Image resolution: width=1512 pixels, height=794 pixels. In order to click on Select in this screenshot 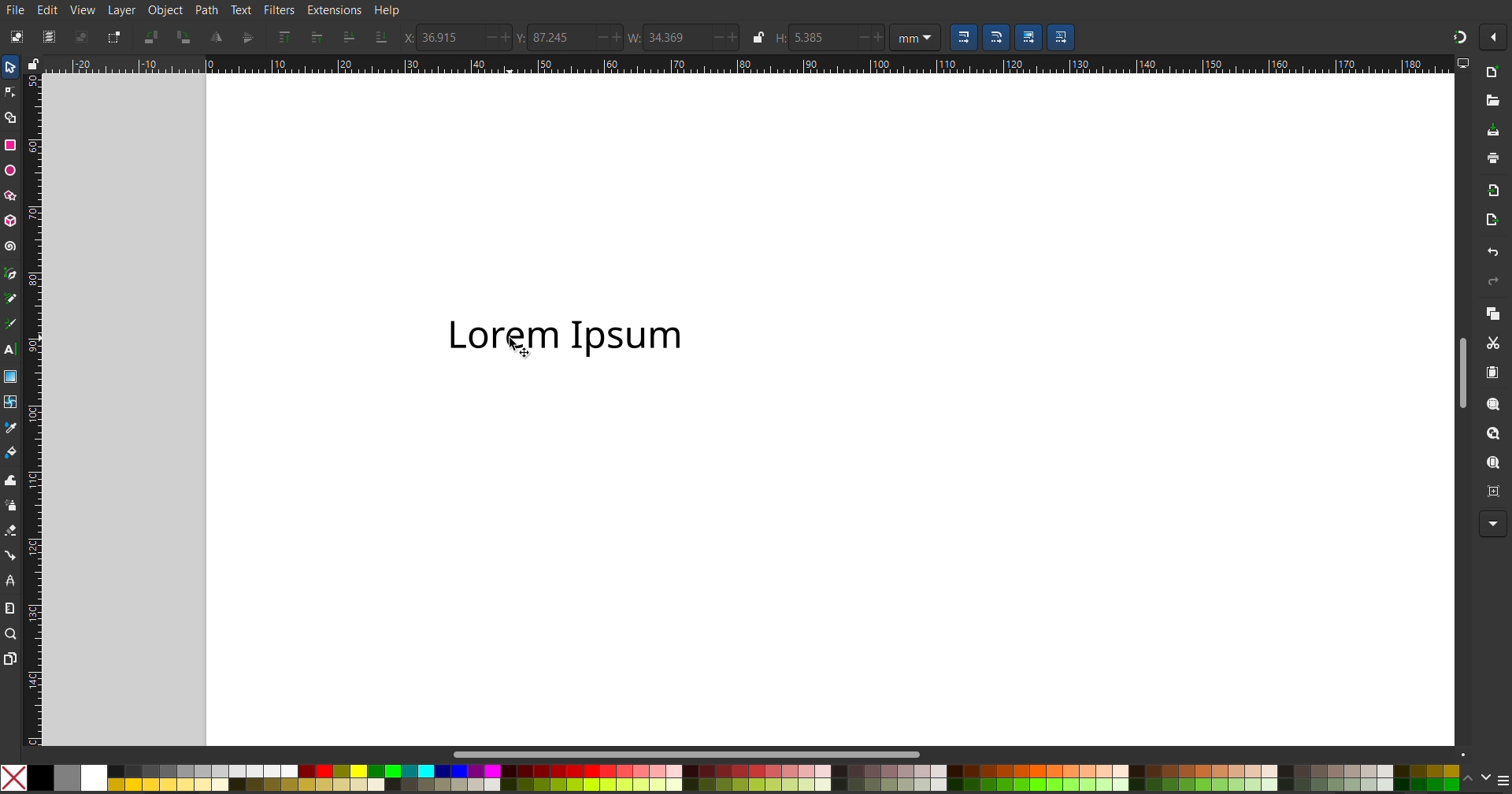, I will do `click(14, 66)`.